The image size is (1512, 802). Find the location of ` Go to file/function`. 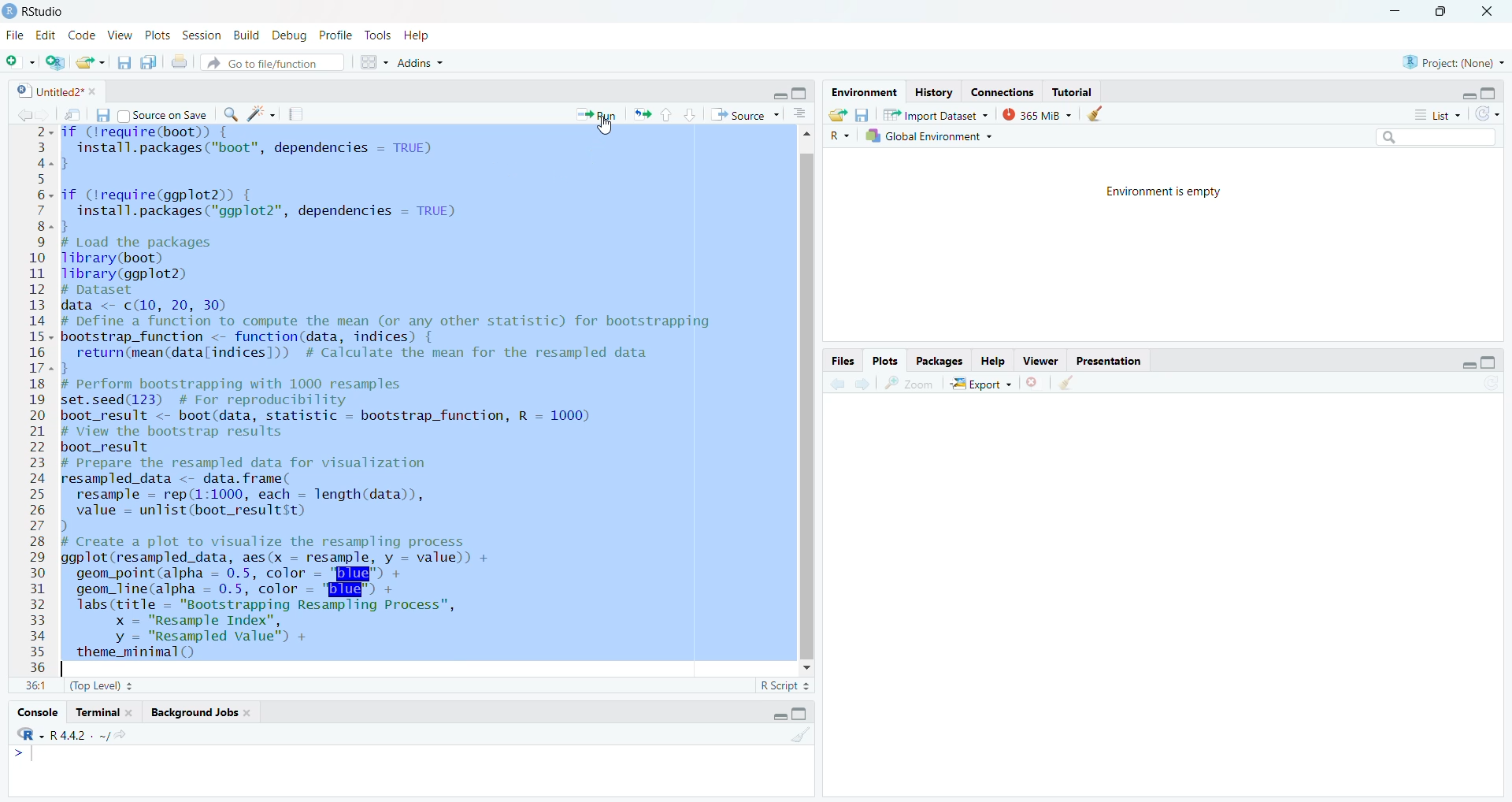

 Go to file/function is located at coordinates (275, 61).